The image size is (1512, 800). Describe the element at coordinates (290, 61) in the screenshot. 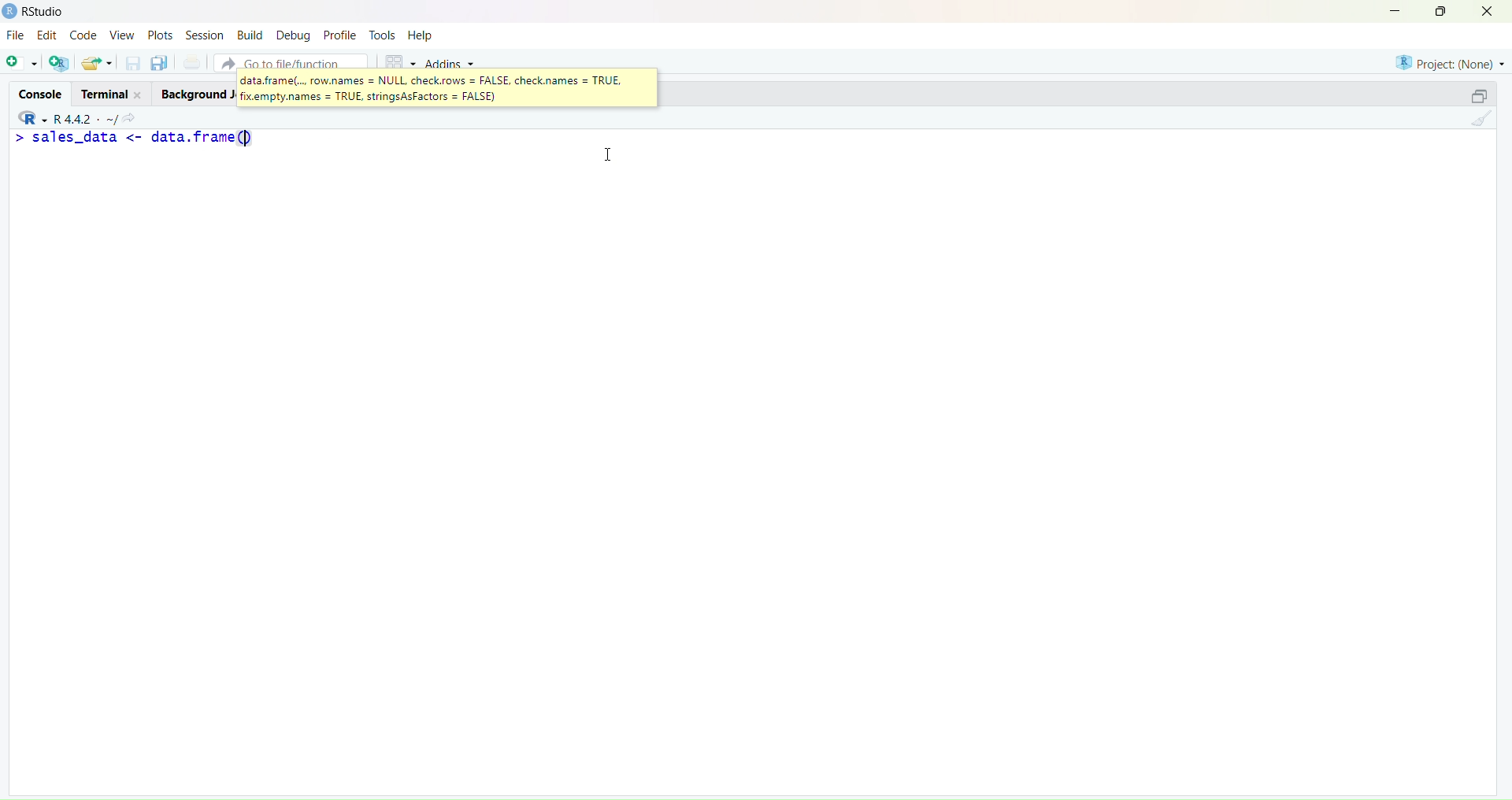

I see `Go to file/function` at that location.